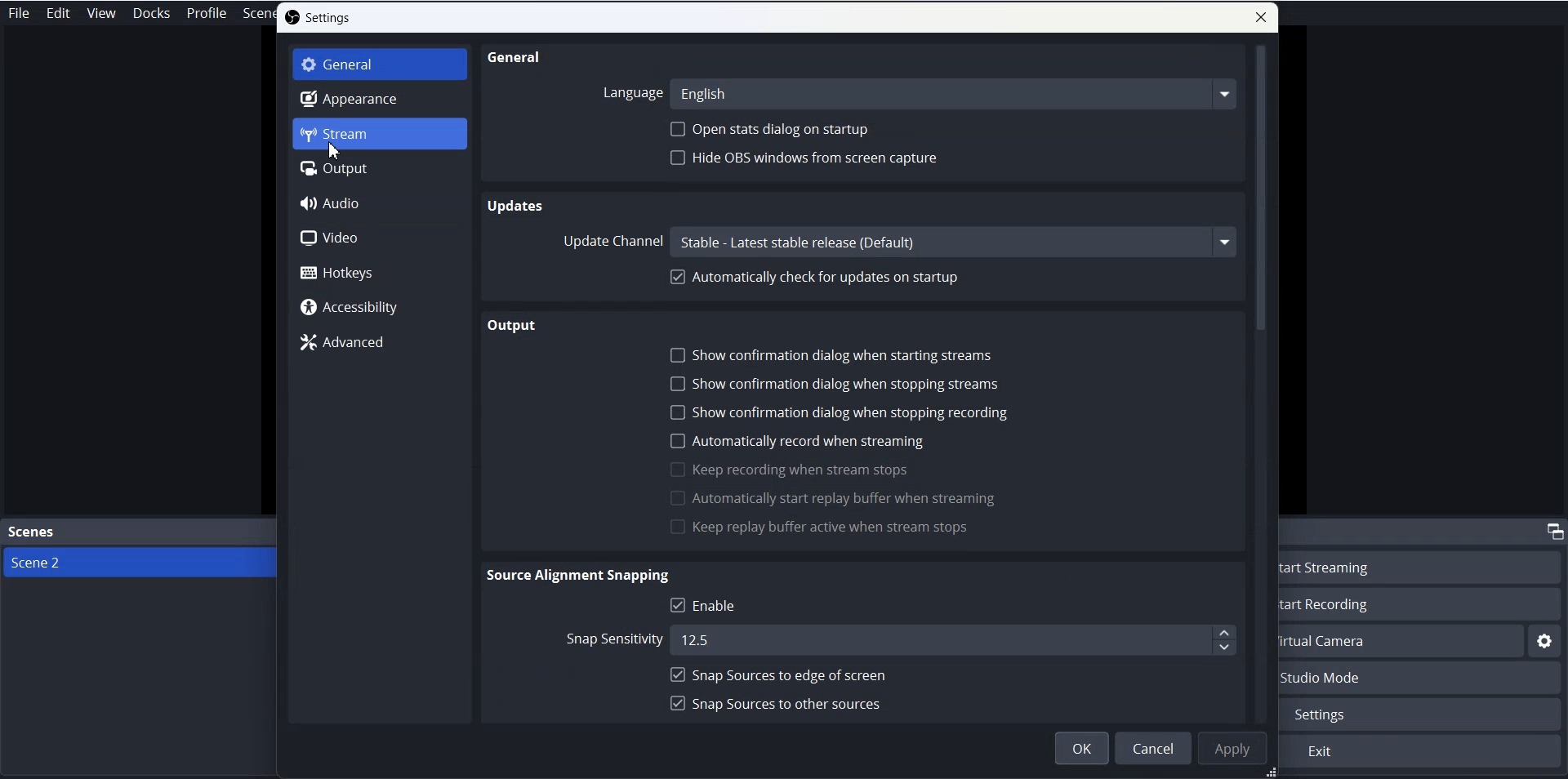 The image size is (1568, 779). Describe the element at coordinates (904, 242) in the screenshot. I see `Update channel` at that location.